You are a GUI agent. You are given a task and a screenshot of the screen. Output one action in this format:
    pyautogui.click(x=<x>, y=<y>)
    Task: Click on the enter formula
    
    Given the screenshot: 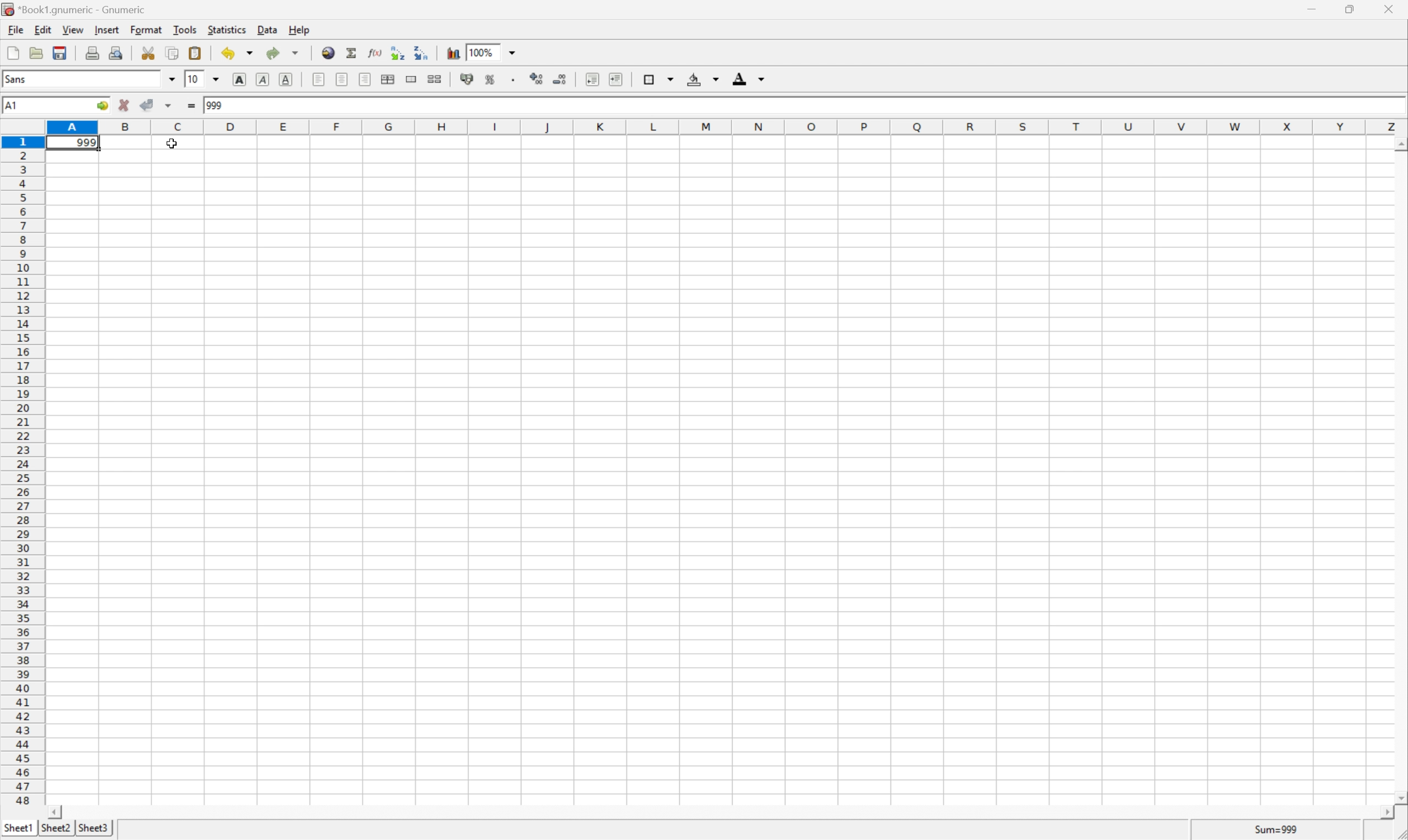 What is the action you would take?
    pyautogui.click(x=190, y=106)
    